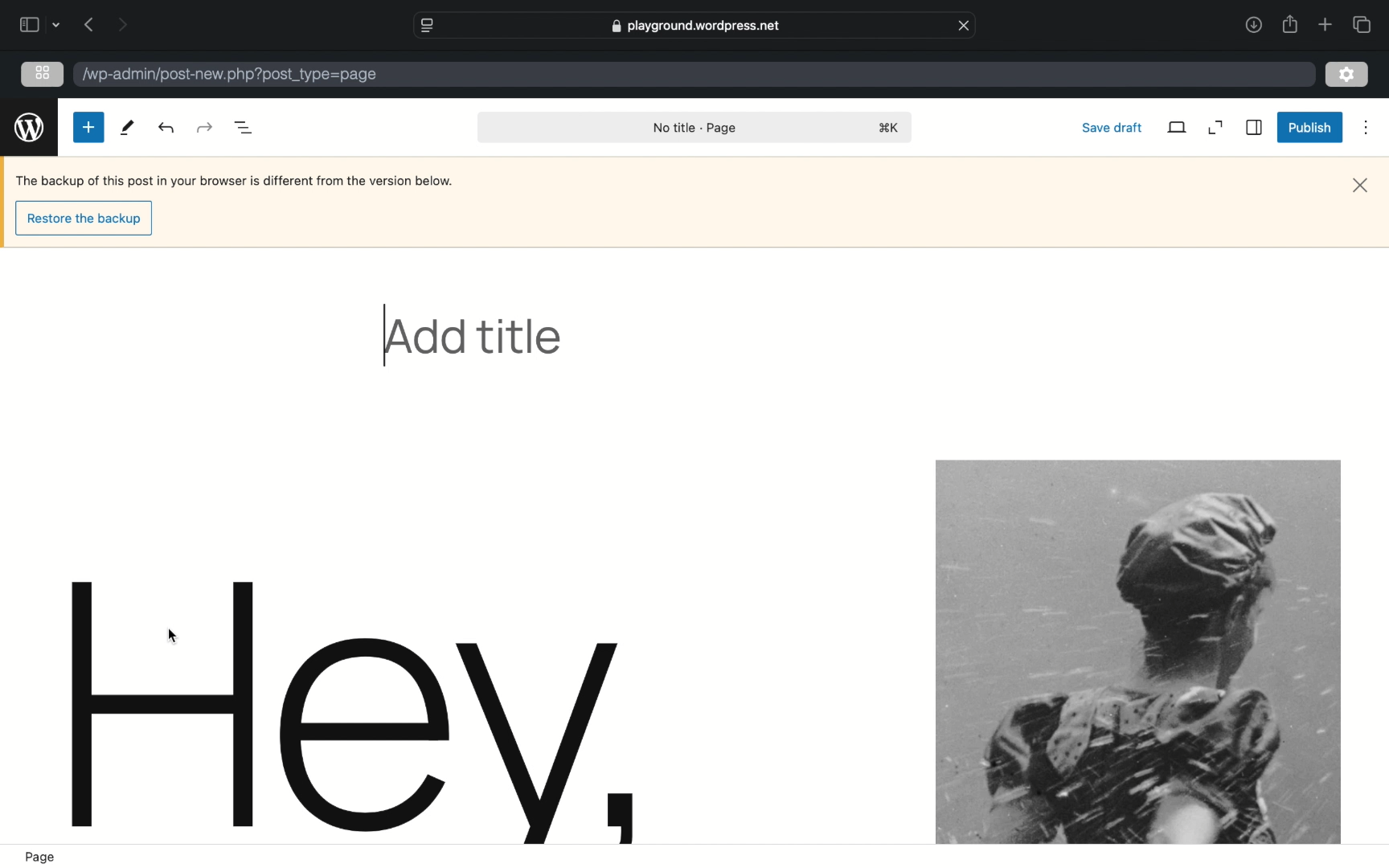 This screenshot has height=868, width=1389. What do you see at coordinates (166, 129) in the screenshot?
I see `redo` at bounding box center [166, 129].